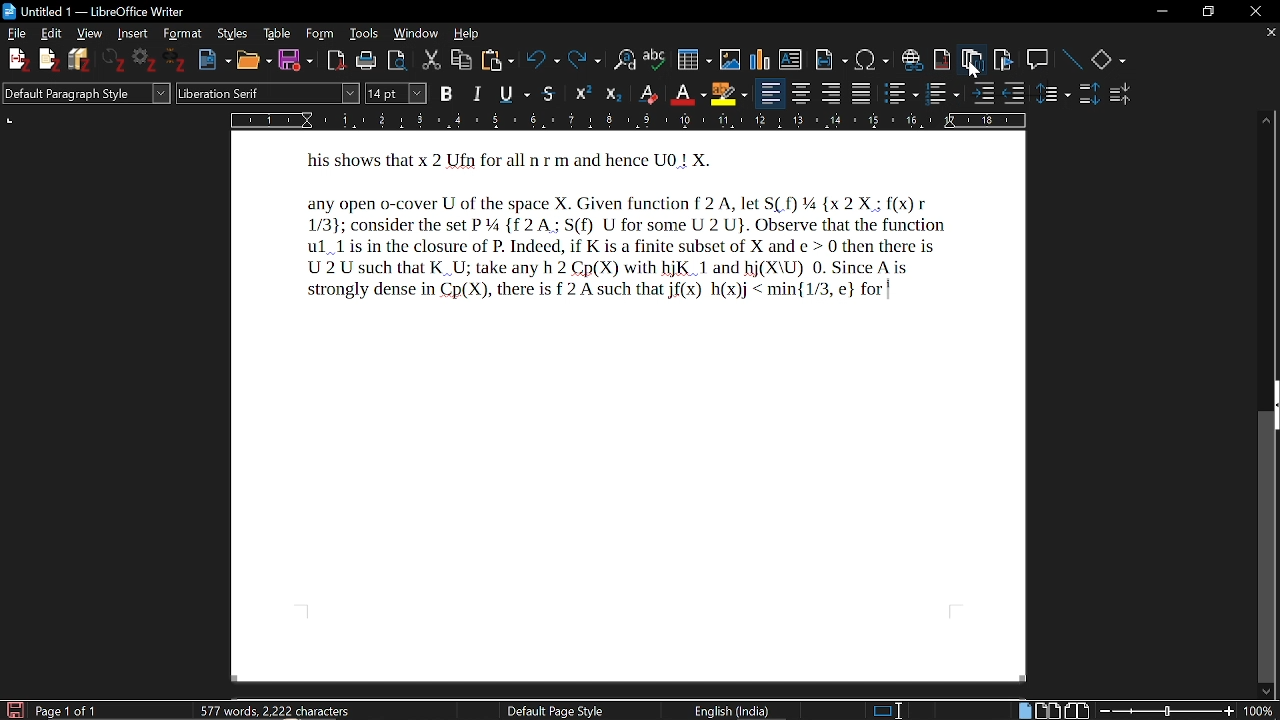 The image size is (1280, 720). Describe the element at coordinates (943, 62) in the screenshot. I see `Insert footnote` at that location.